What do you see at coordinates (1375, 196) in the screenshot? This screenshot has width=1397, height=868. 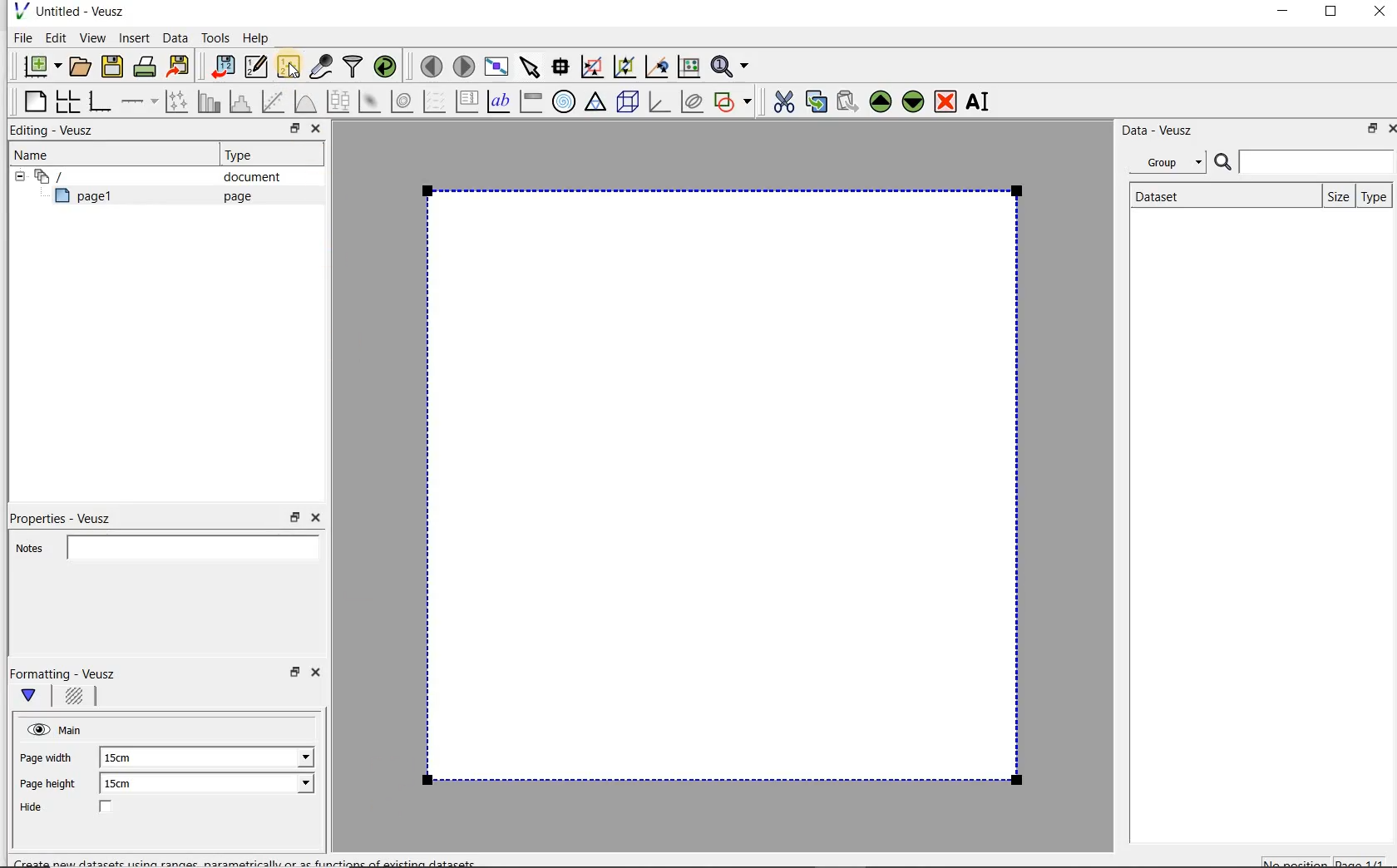 I see `Type` at bounding box center [1375, 196].